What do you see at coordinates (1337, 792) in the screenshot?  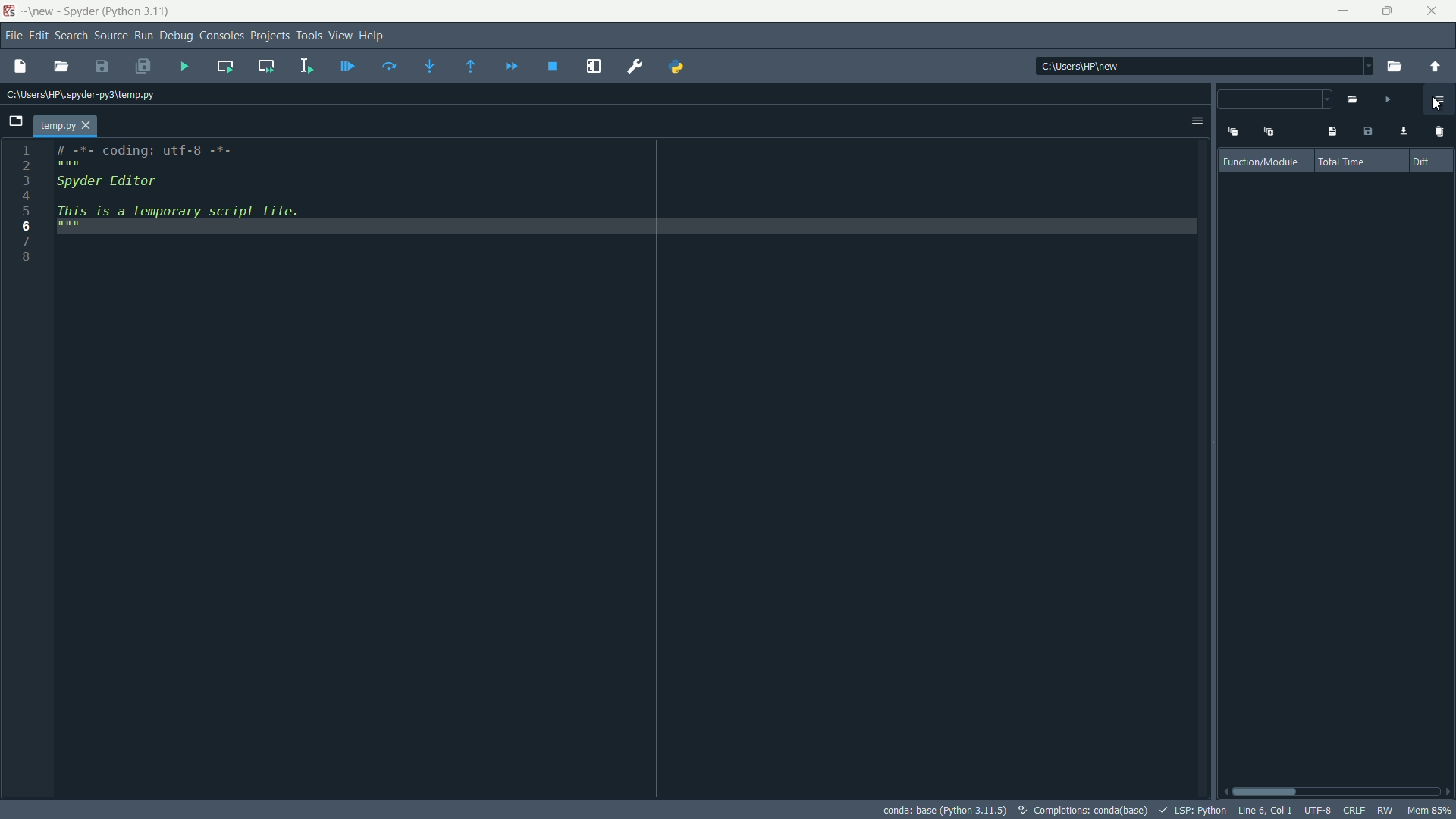 I see `scroll bar` at bounding box center [1337, 792].